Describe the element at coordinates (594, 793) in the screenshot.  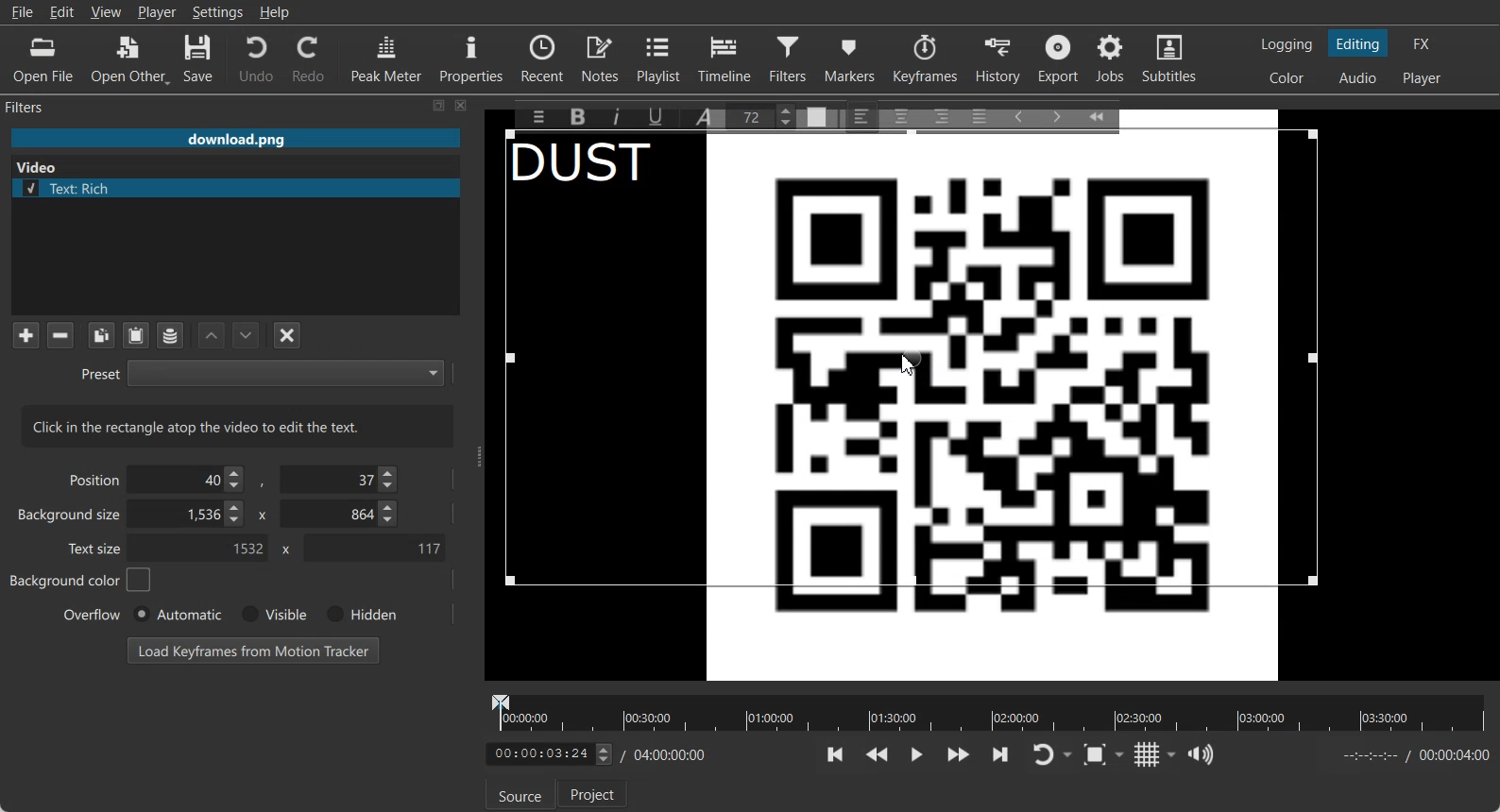
I see `Project` at that location.